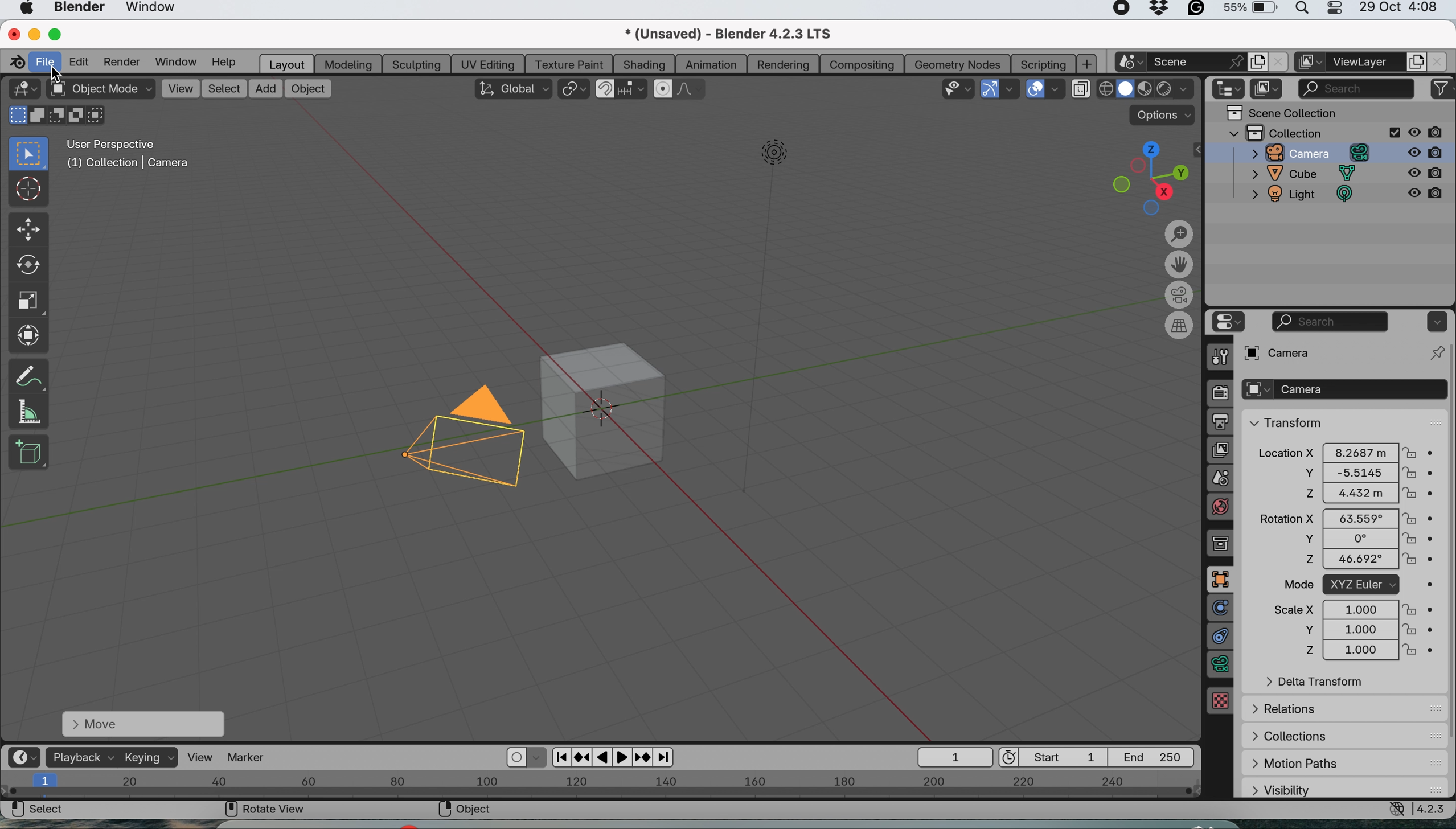  What do you see at coordinates (1345, 539) in the screenshot?
I see `y 0` at bounding box center [1345, 539].